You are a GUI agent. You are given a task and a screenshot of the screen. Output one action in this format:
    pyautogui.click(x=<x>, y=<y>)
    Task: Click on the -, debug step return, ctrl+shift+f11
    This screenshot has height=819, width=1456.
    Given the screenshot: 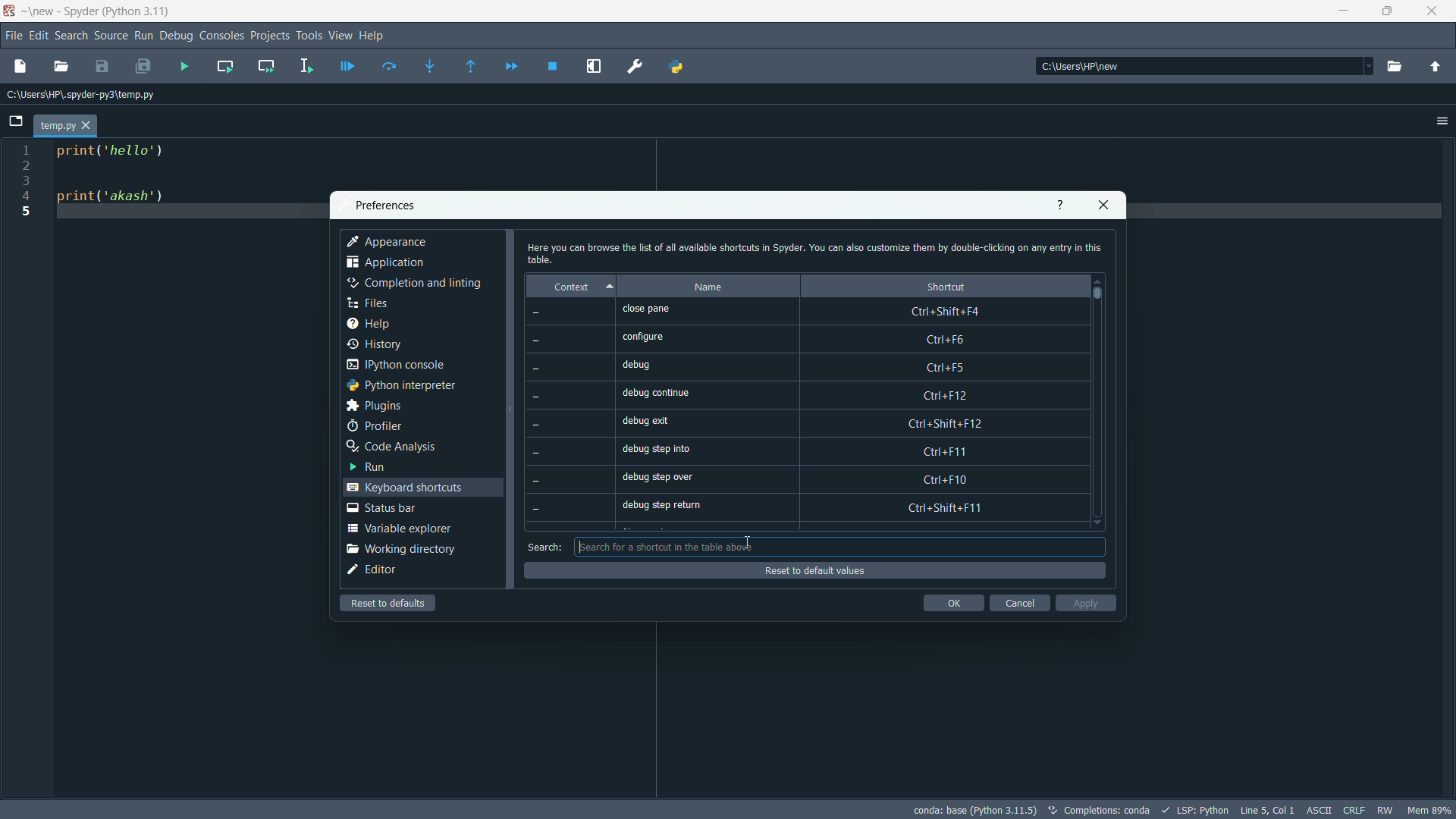 What is the action you would take?
    pyautogui.click(x=802, y=508)
    